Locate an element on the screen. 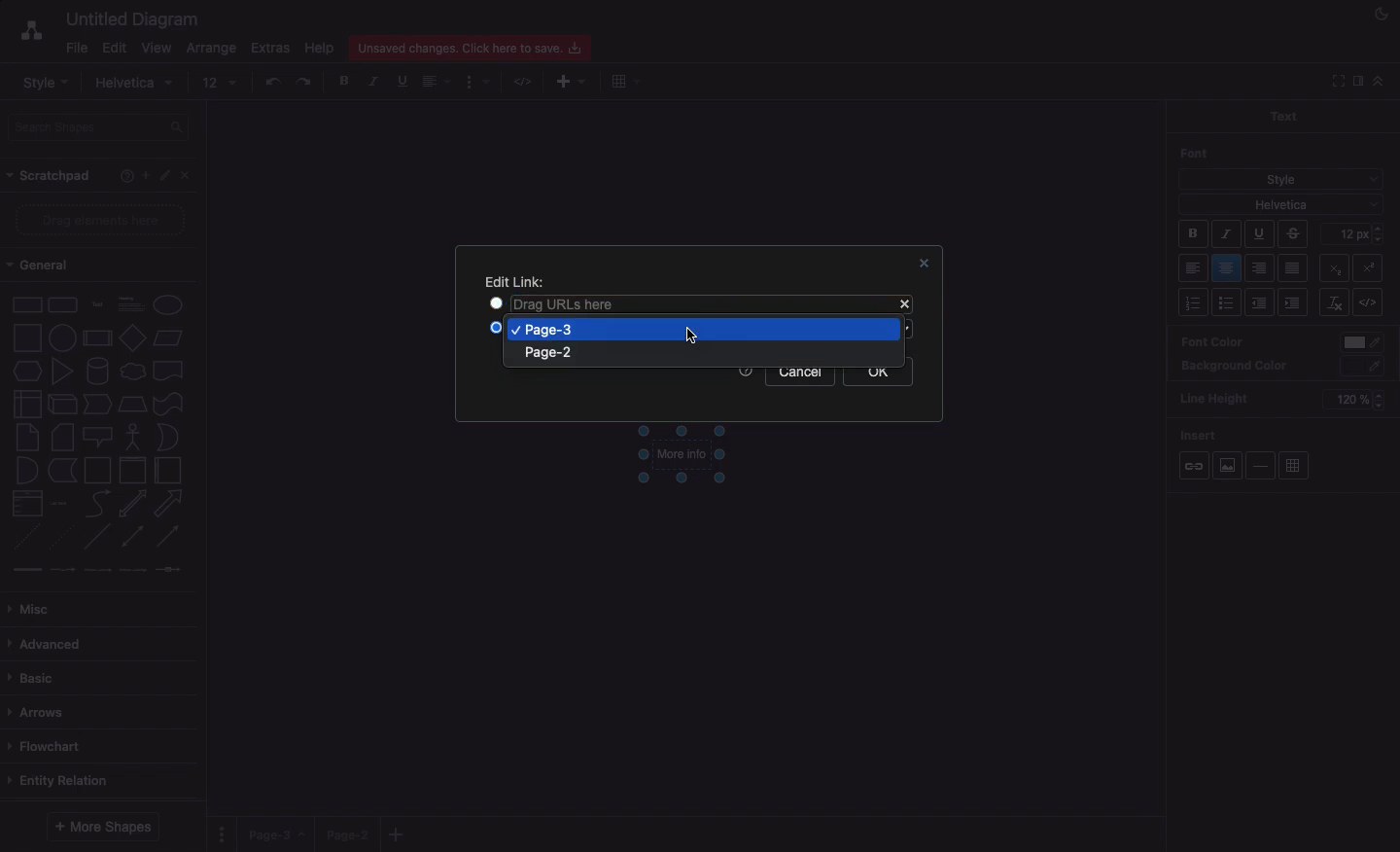  Extras is located at coordinates (271, 48).